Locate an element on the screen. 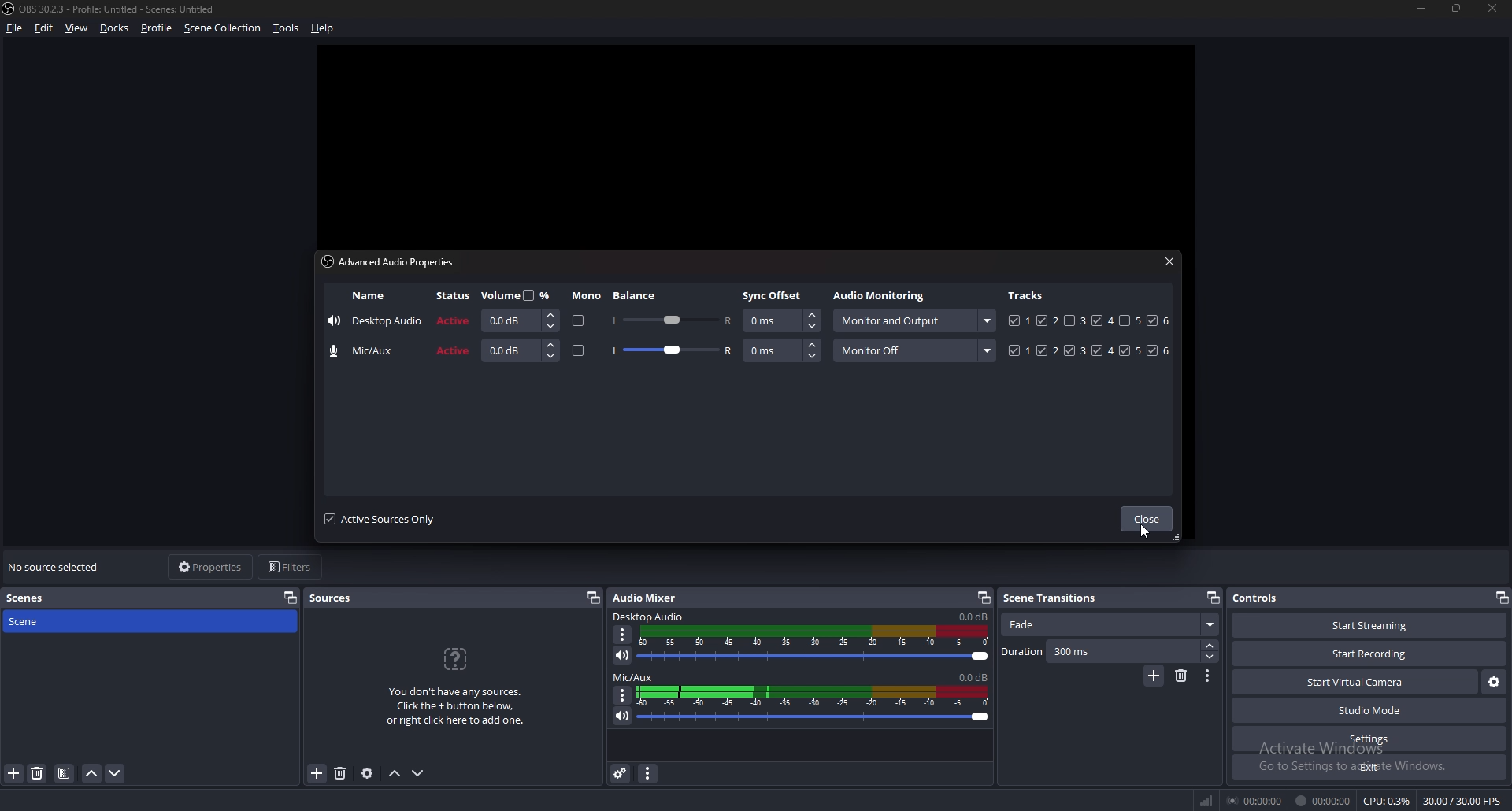  active sources only is located at coordinates (380, 519).